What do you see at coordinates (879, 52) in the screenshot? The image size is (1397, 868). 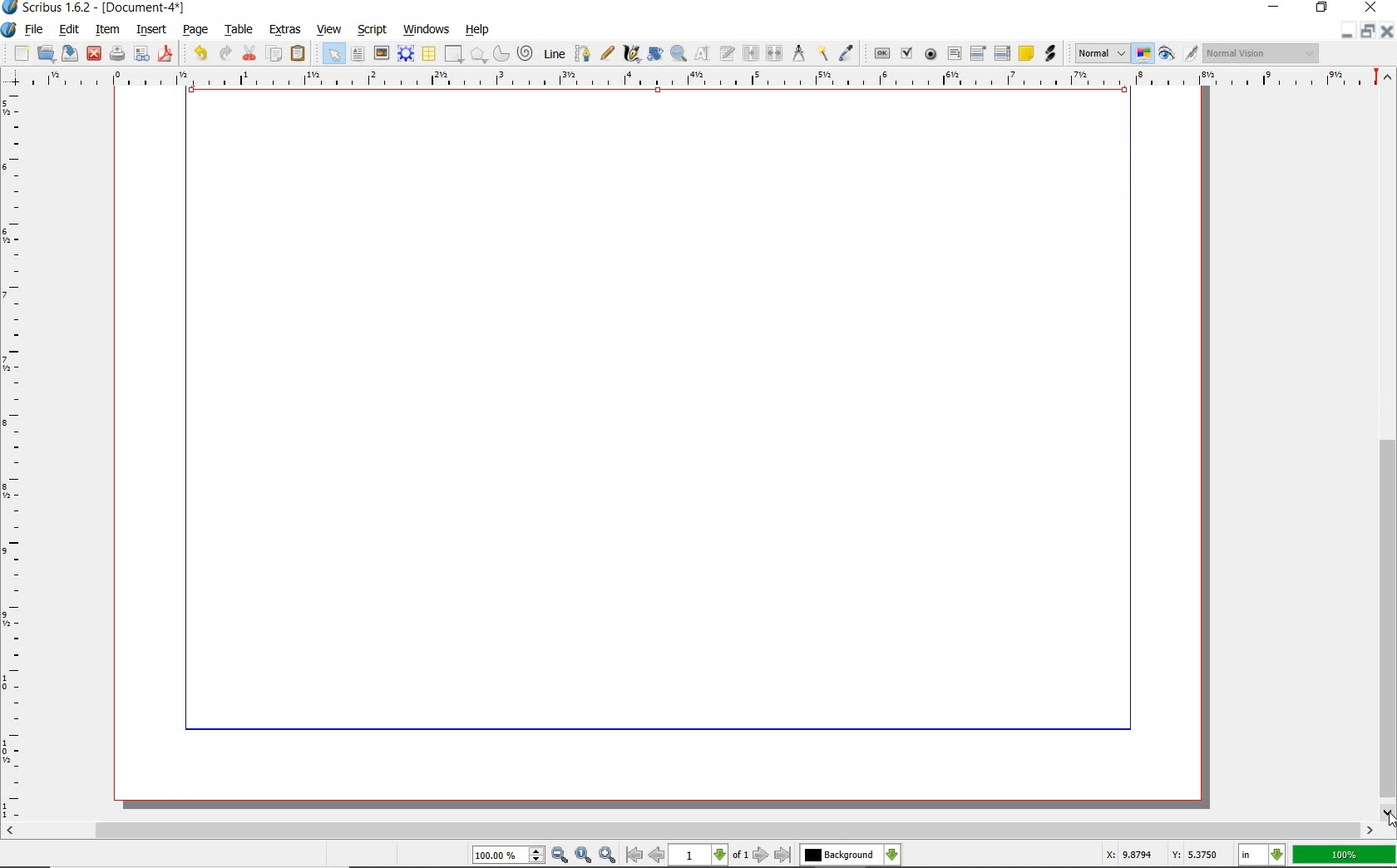 I see `pdf push button` at bounding box center [879, 52].